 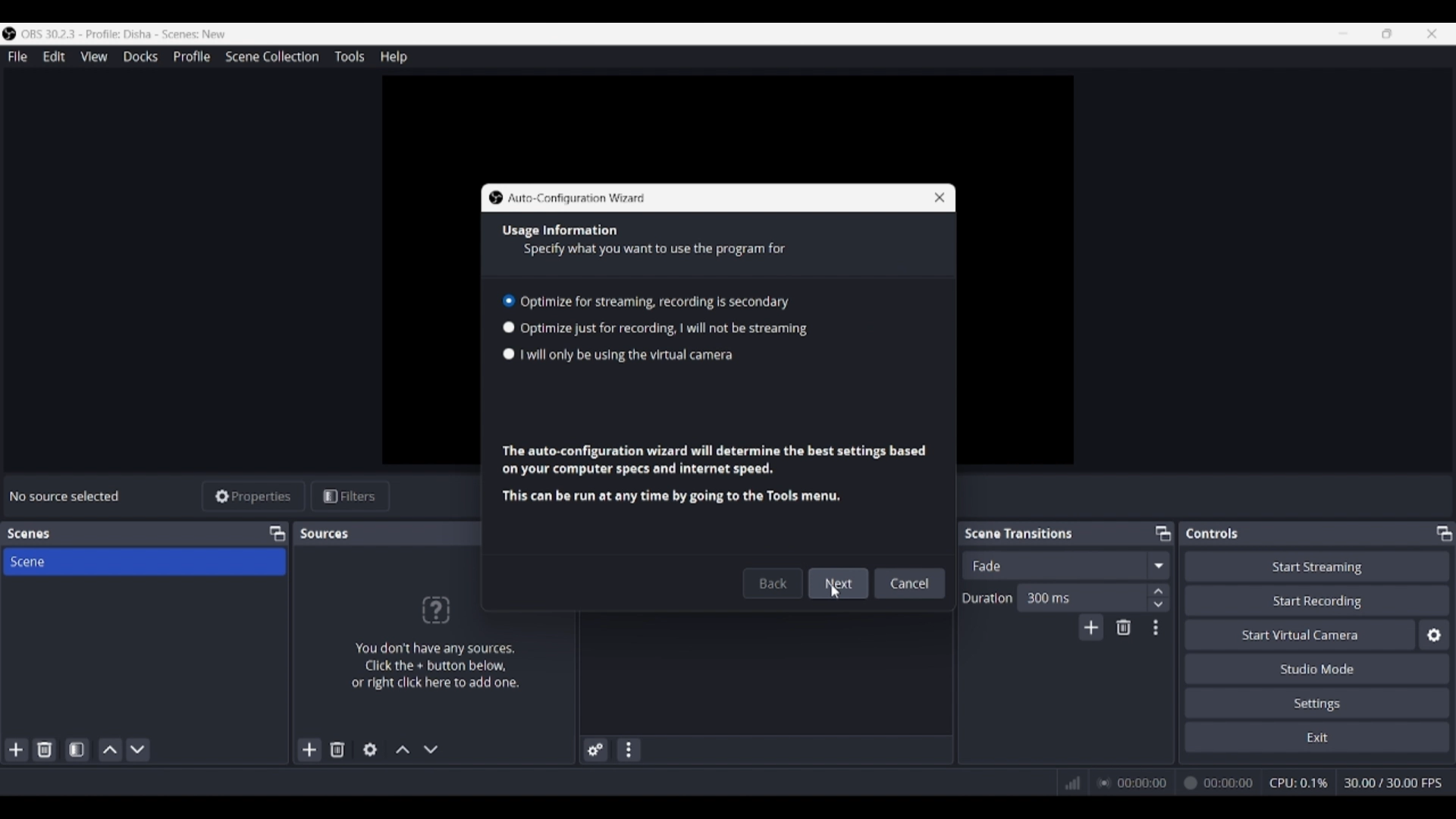 What do you see at coordinates (1318, 702) in the screenshot?
I see `Settings` at bounding box center [1318, 702].